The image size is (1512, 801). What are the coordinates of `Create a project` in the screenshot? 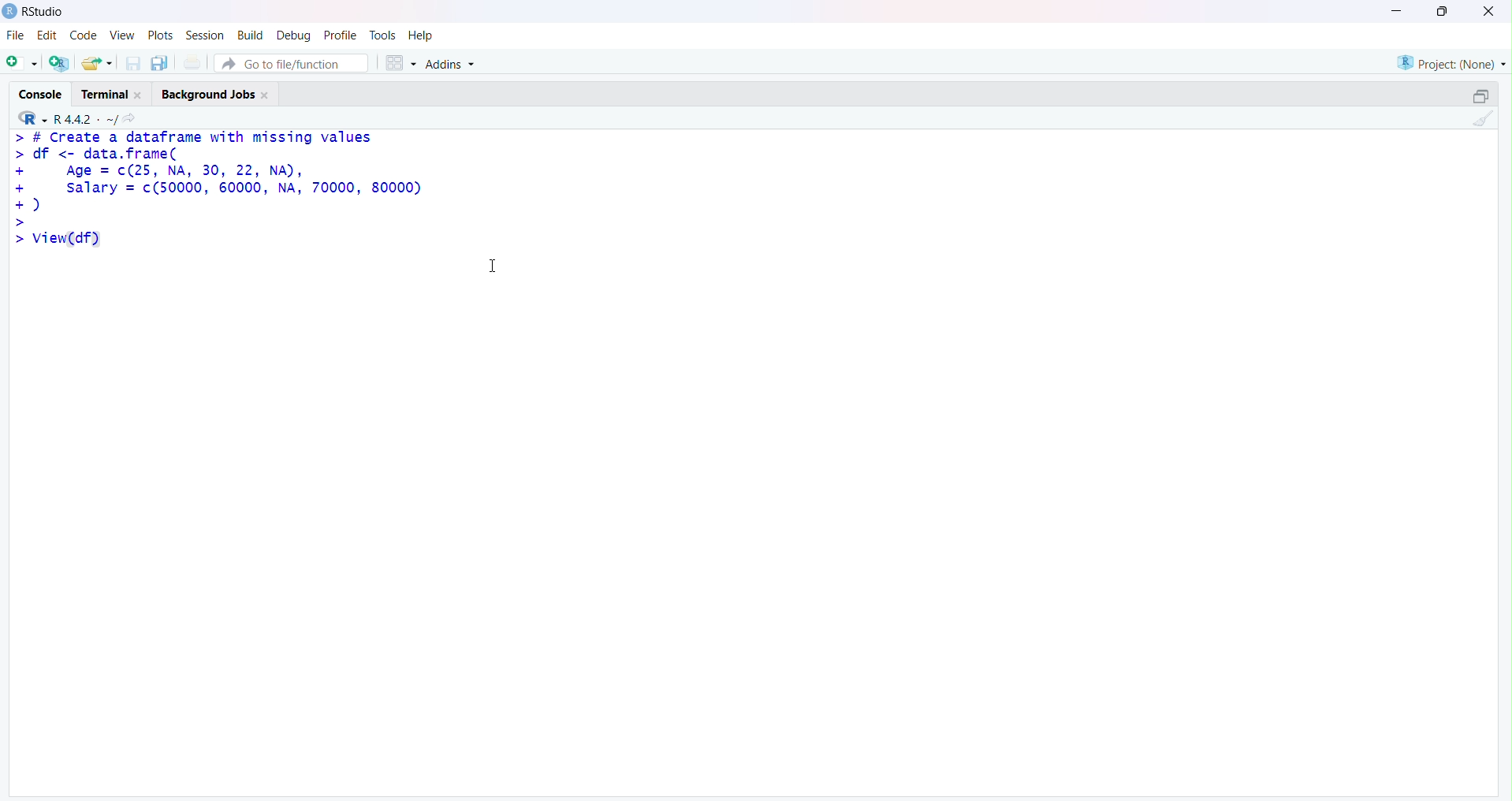 It's located at (60, 61).